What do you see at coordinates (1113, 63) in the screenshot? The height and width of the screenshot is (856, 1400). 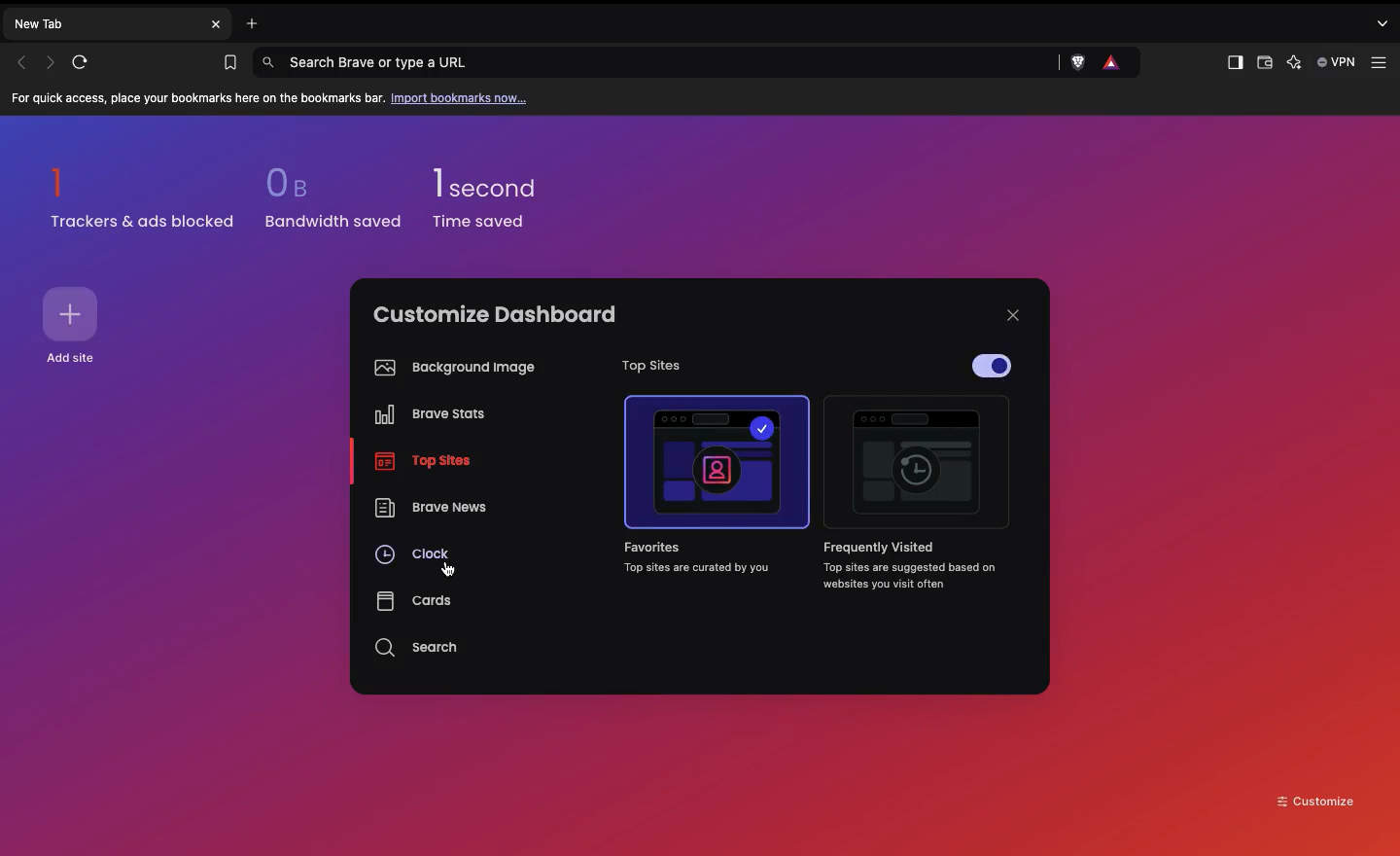 I see `Rewards` at bounding box center [1113, 63].